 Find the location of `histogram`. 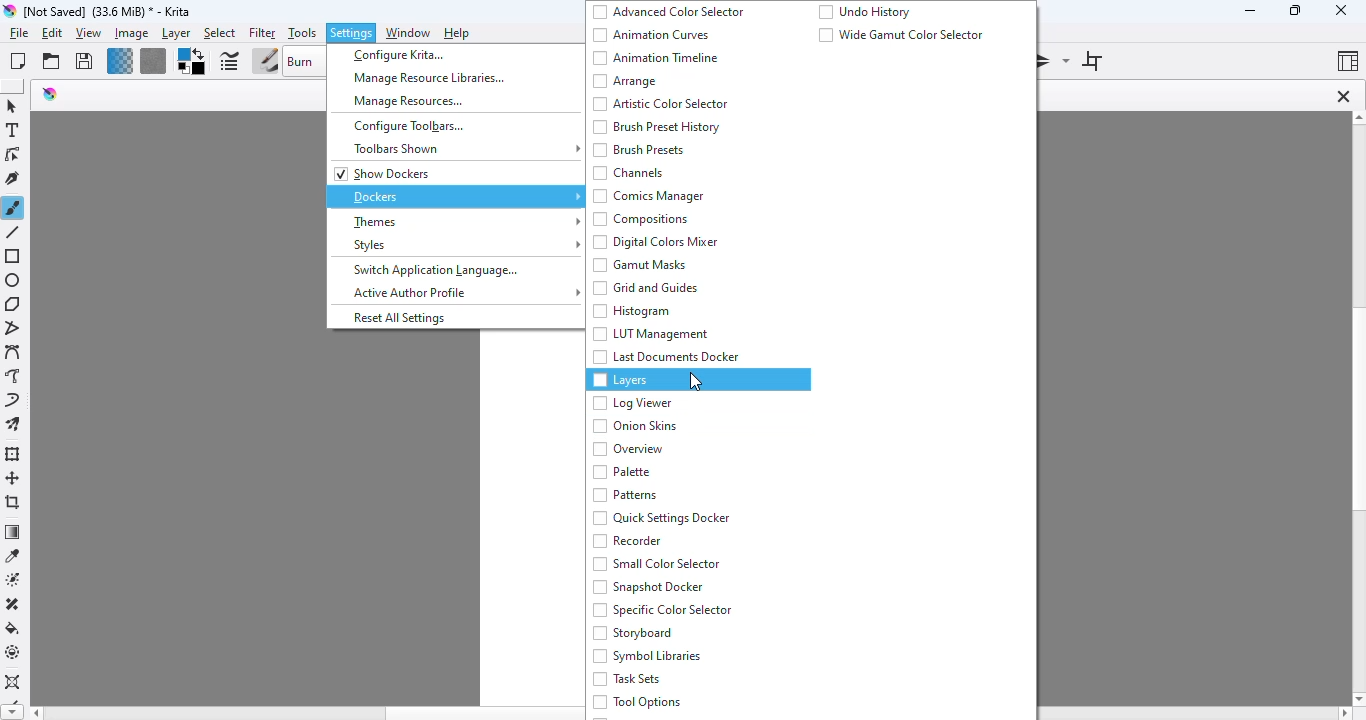

histogram is located at coordinates (631, 311).